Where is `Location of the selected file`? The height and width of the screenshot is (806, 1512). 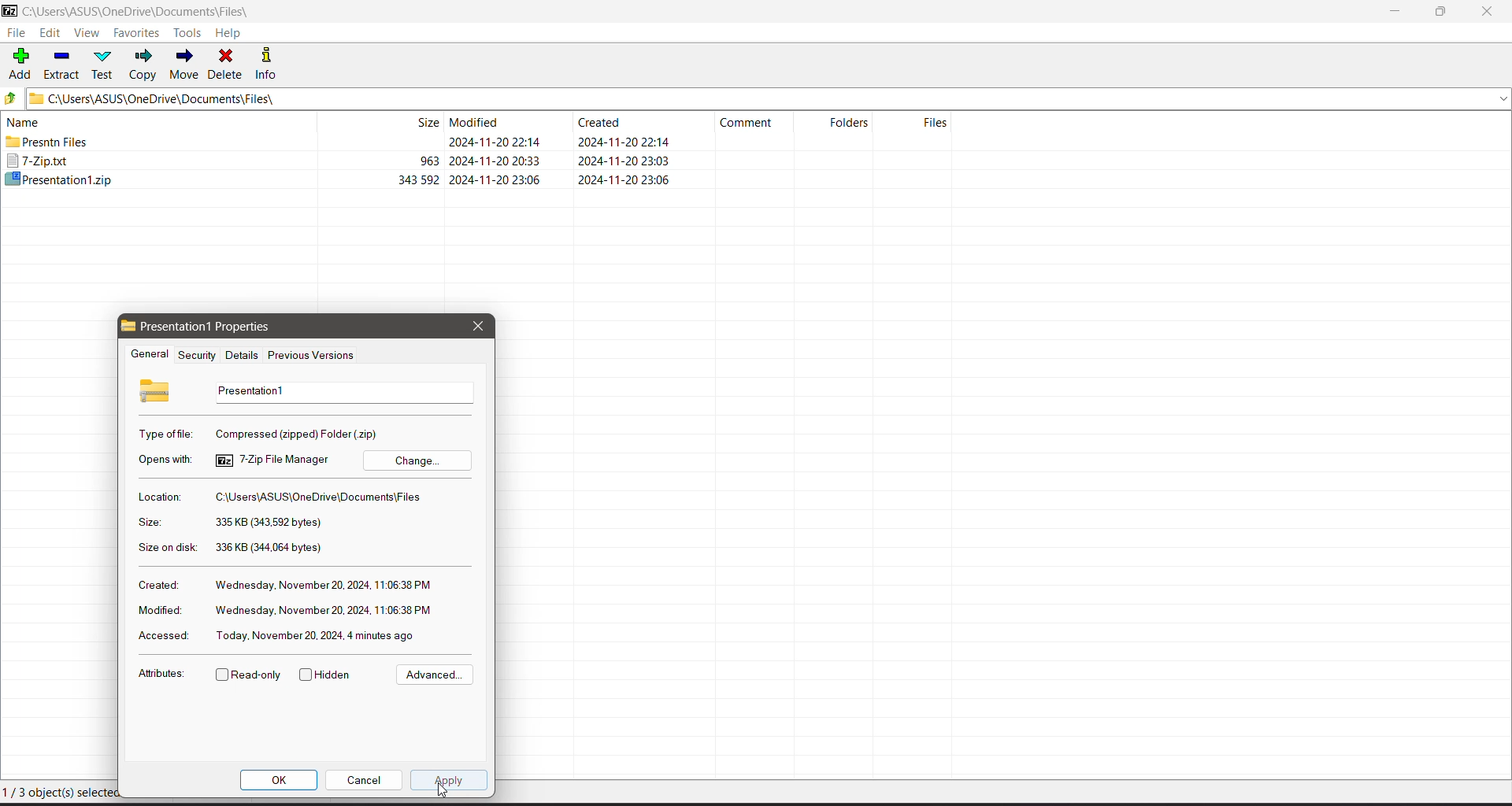 Location of the selected file is located at coordinates (323, 497).